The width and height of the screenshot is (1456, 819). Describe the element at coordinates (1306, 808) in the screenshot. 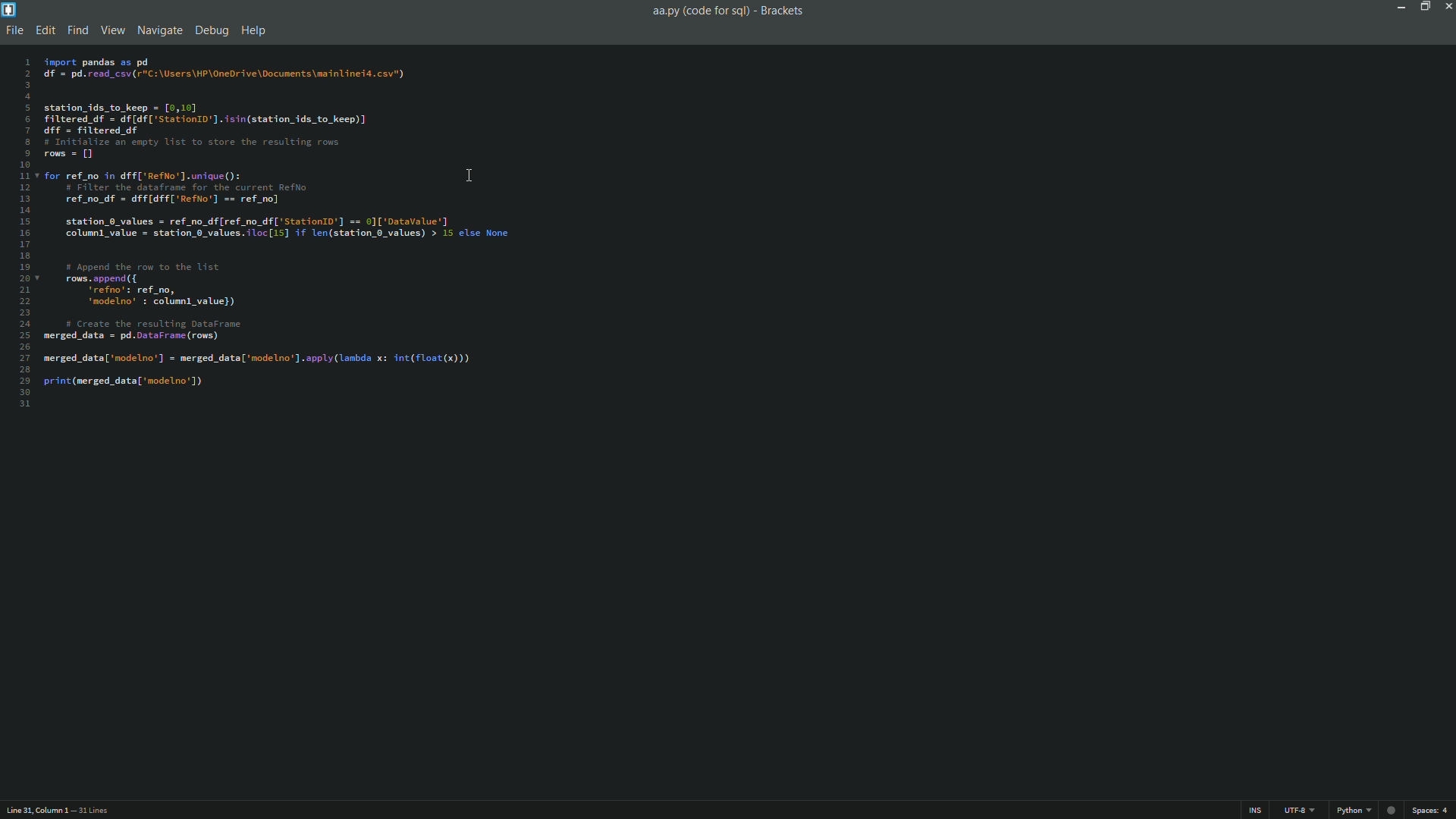

I see `UTF-8` at that location.